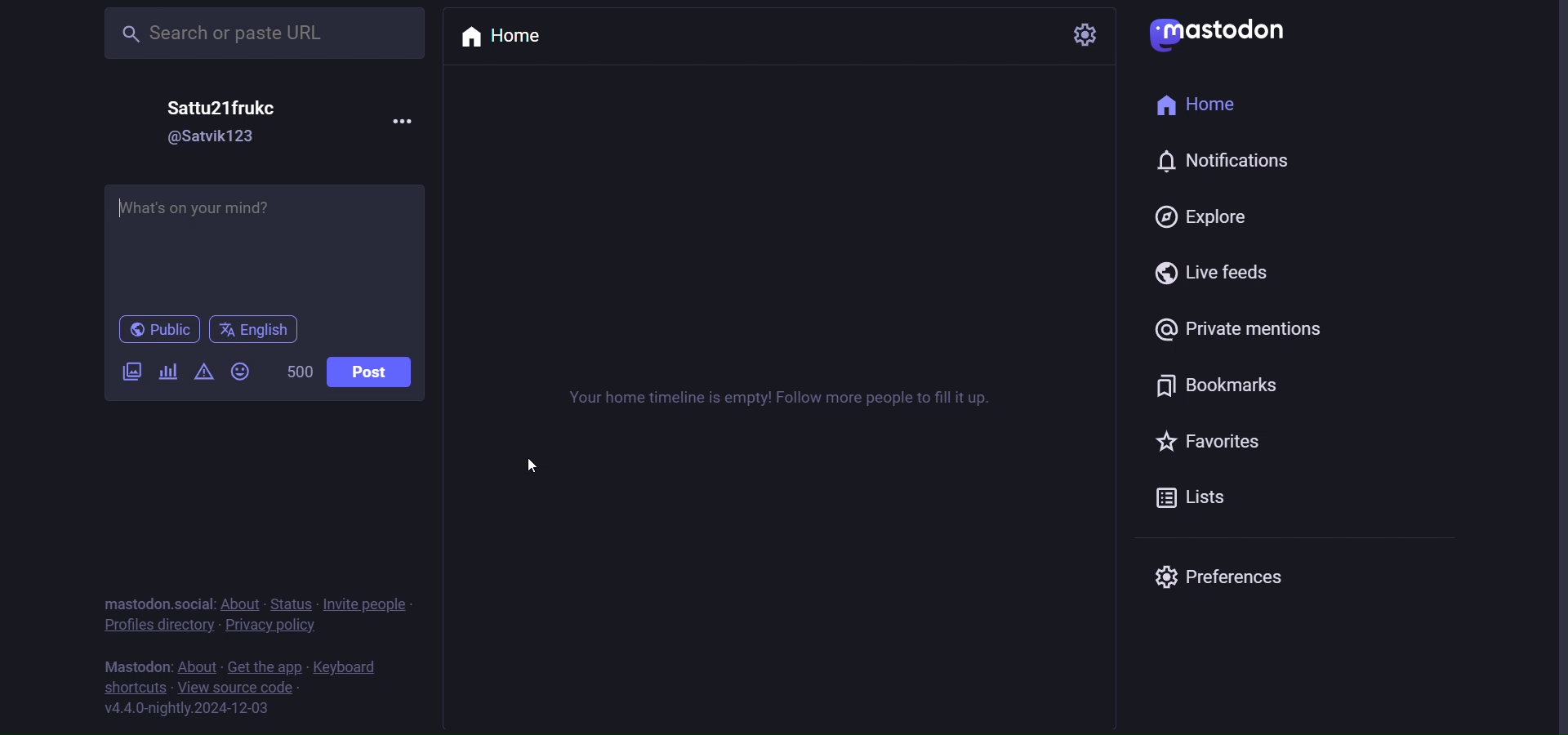  Describe the element at coordinates (156, 330) in the screenshot. I see `public` at that location.